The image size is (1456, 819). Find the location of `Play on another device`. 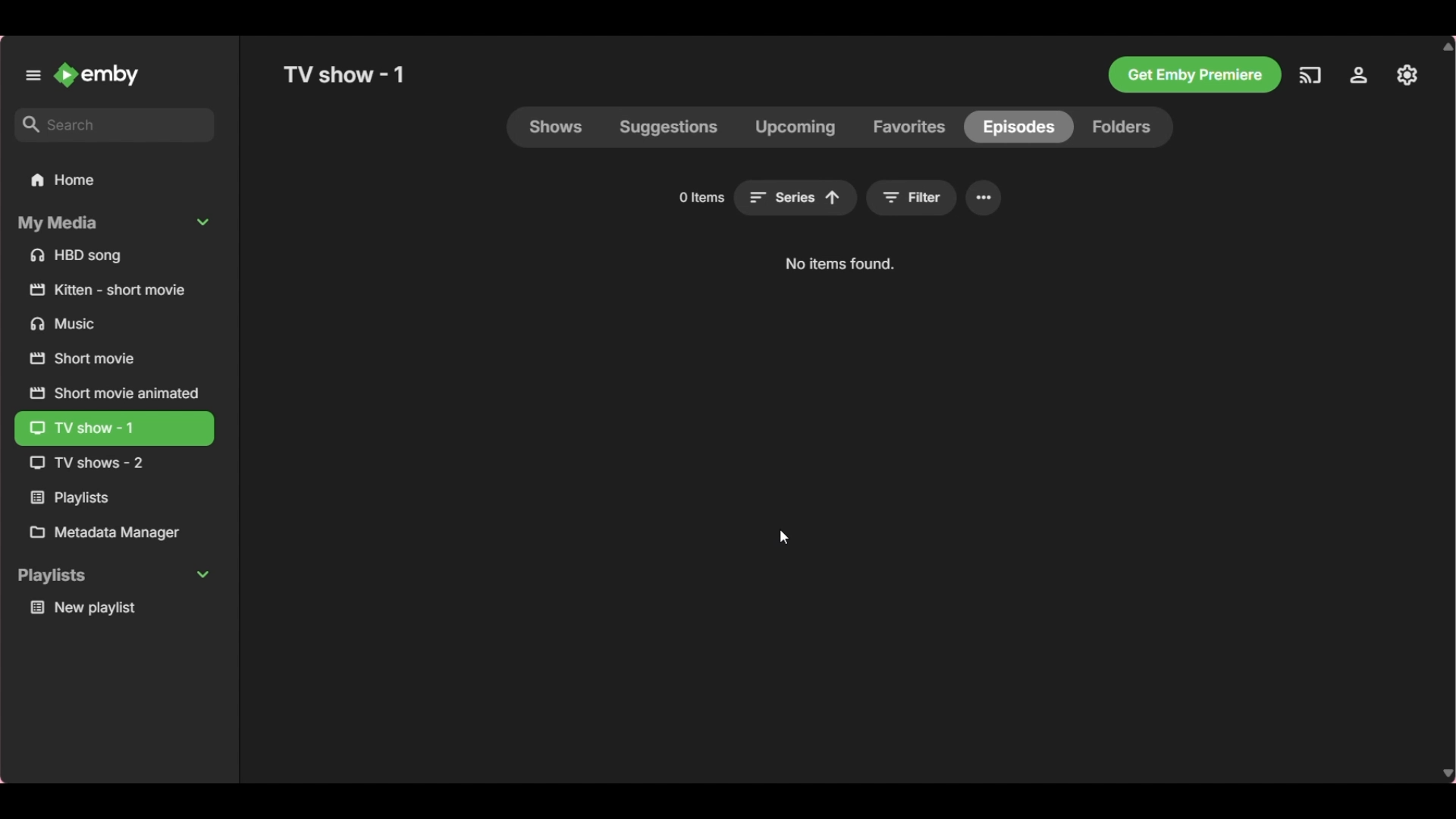

Play on another device is located at coordinates (1310, 75).